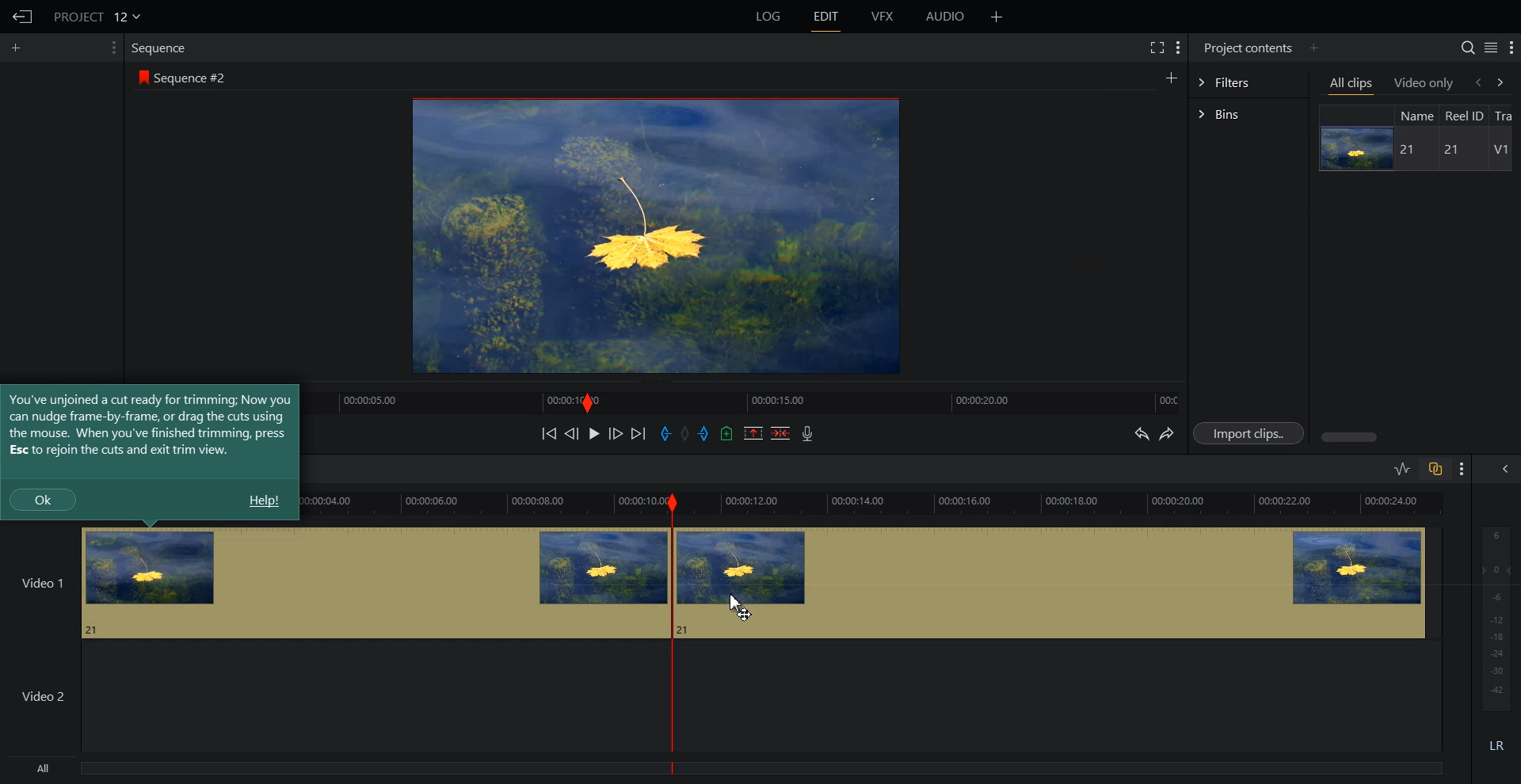 This screenshot has height=784, width=1521. I want to click on Go Back, so click(21, 17).